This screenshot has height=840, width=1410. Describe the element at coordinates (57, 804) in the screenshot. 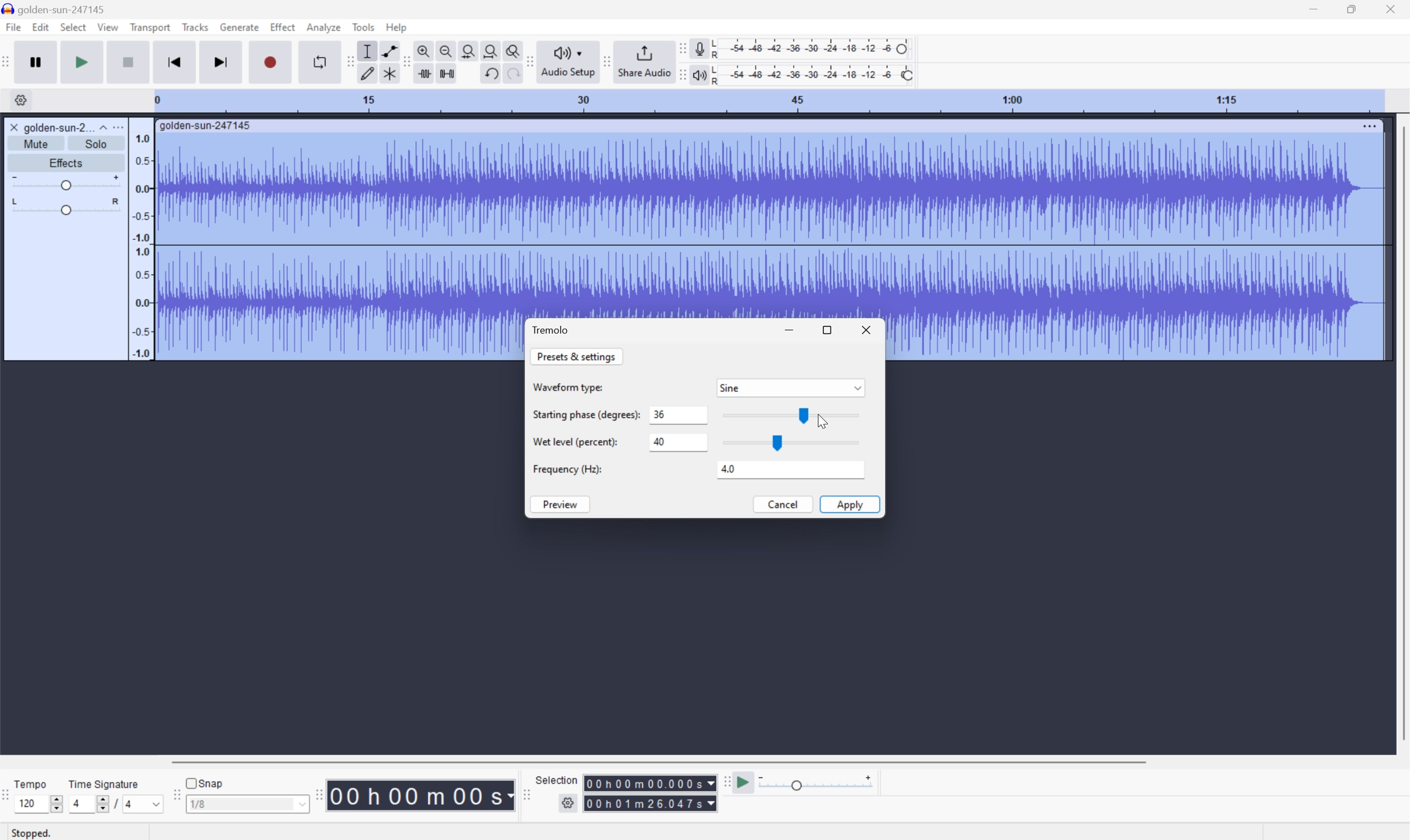

I see `Slider` at that location.